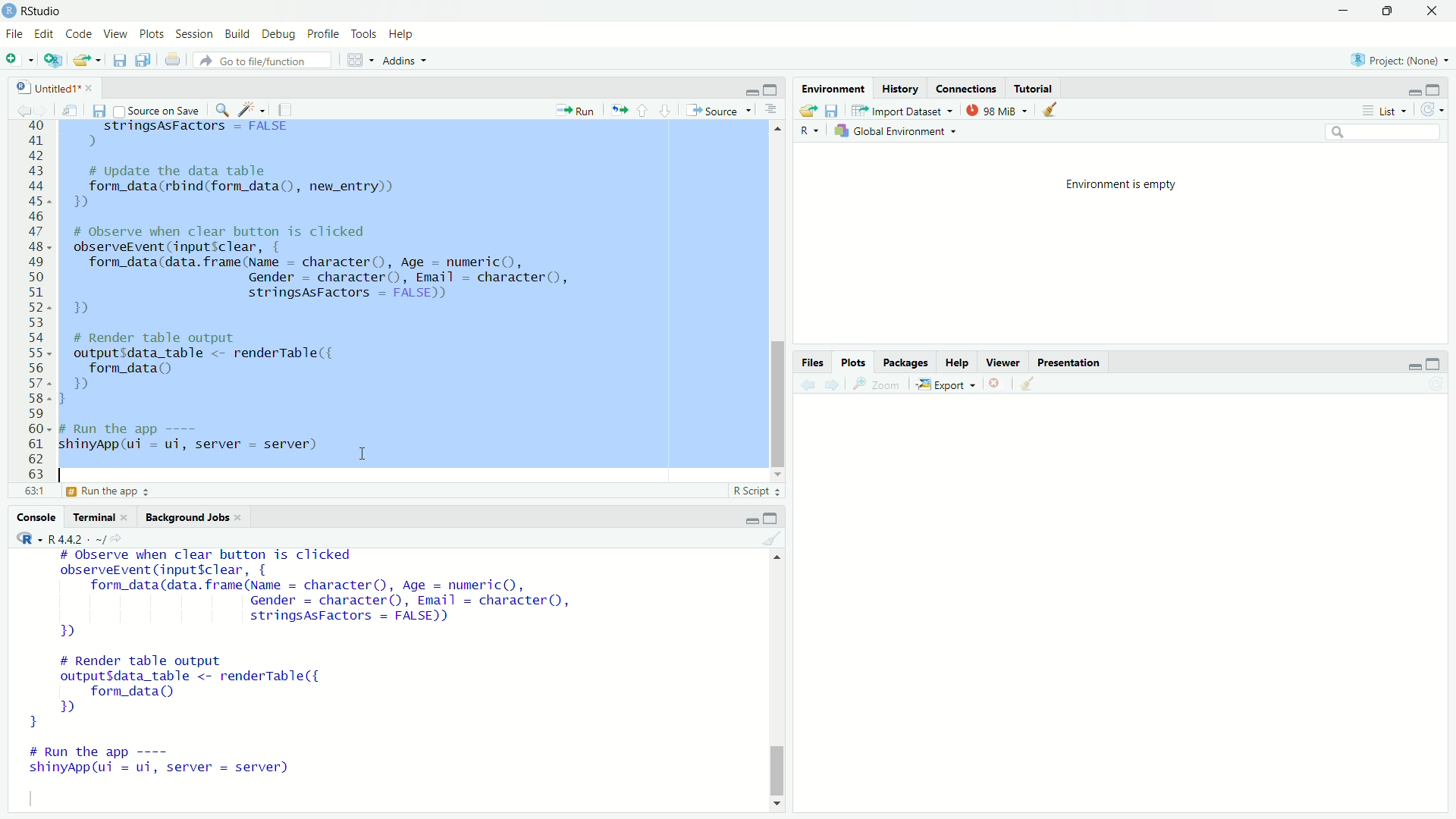 The image size is (1456, 819). Describe the element at coordinates (194, 34) in the screenshot. I see `Session` at that location.